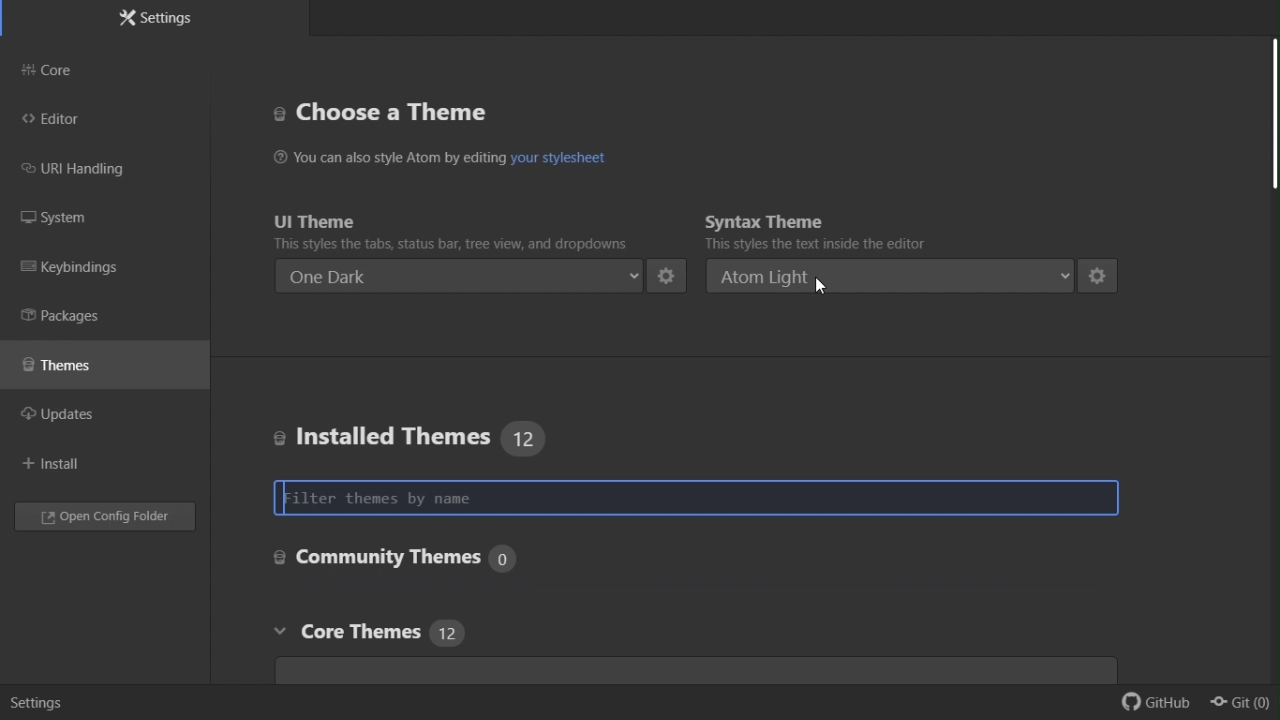  Describe the element at coordinates (76, 371) in the screenshot. I see `Themes` at that location.